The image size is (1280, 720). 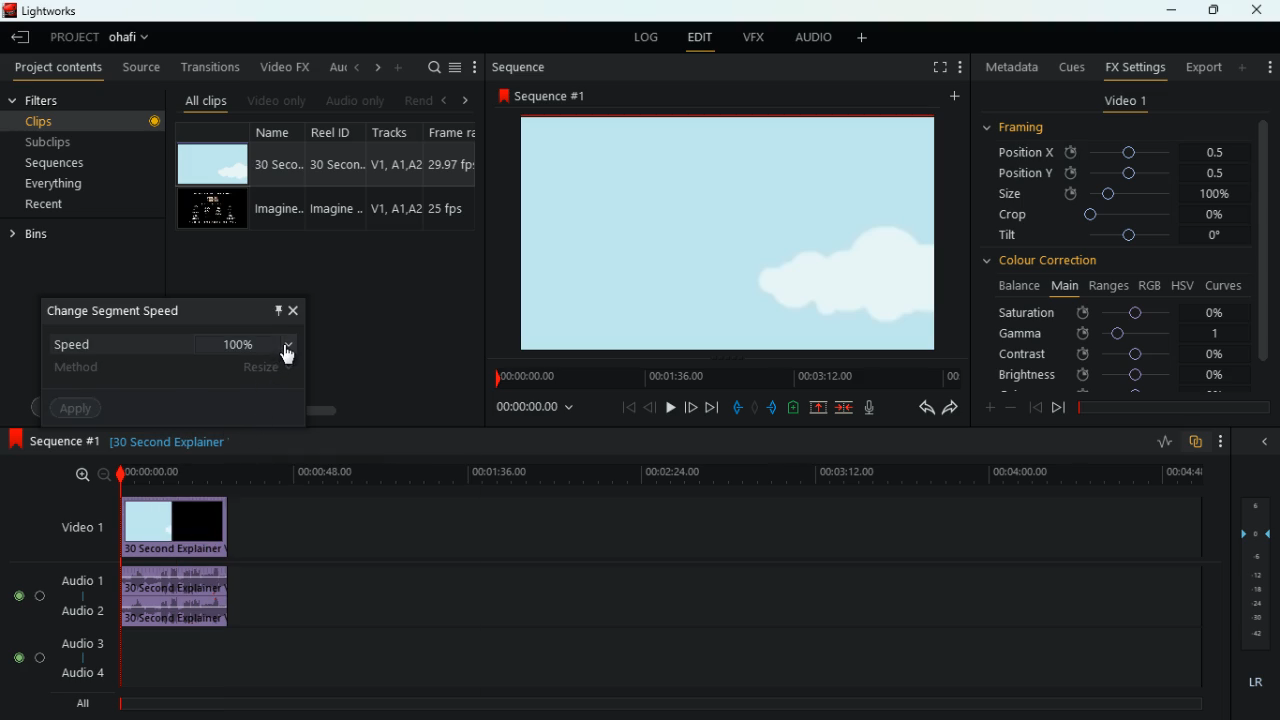 I want to click on join, so click(x=846, y=407).